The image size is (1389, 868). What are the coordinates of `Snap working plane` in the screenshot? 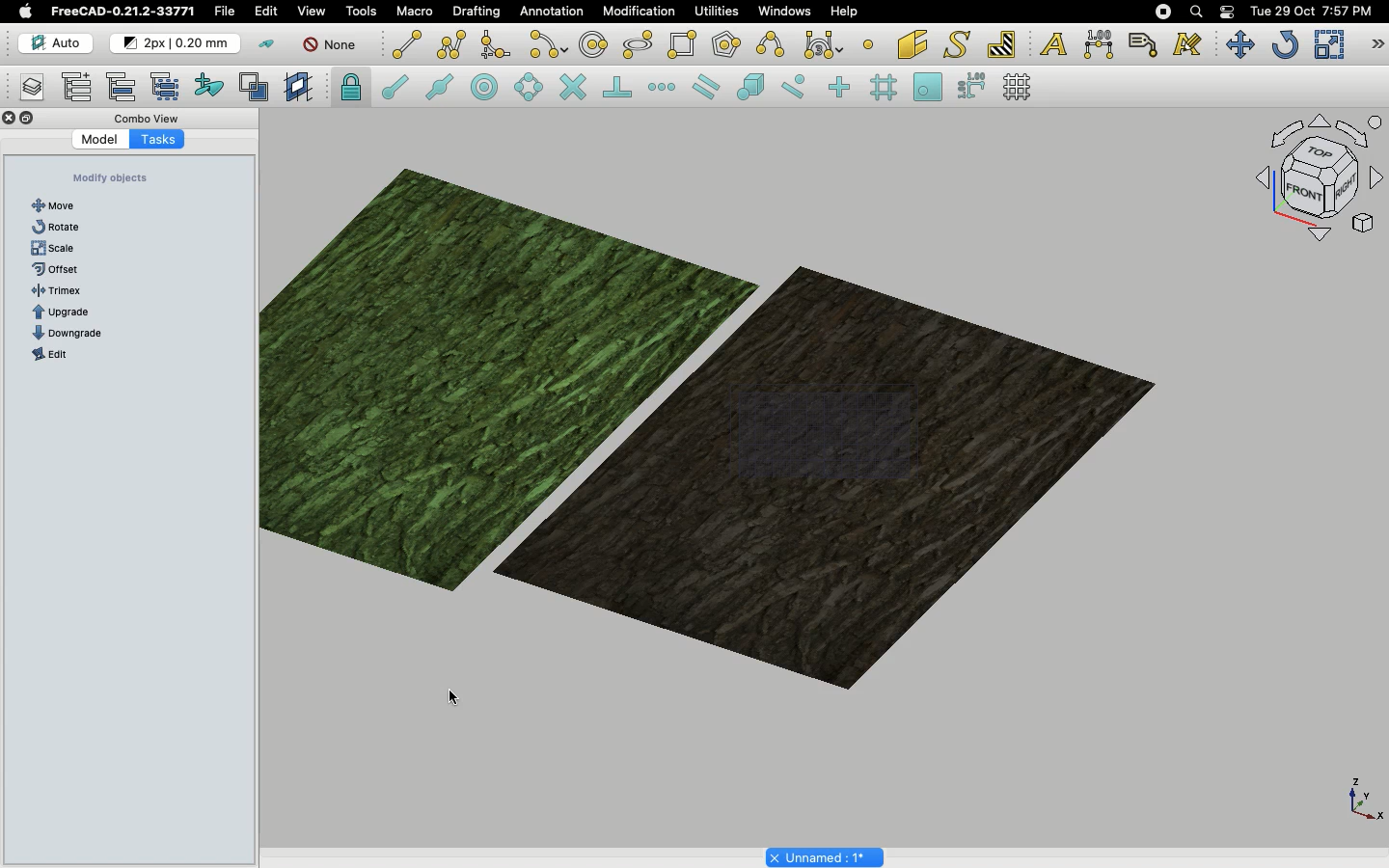 It's located at (928, 89).